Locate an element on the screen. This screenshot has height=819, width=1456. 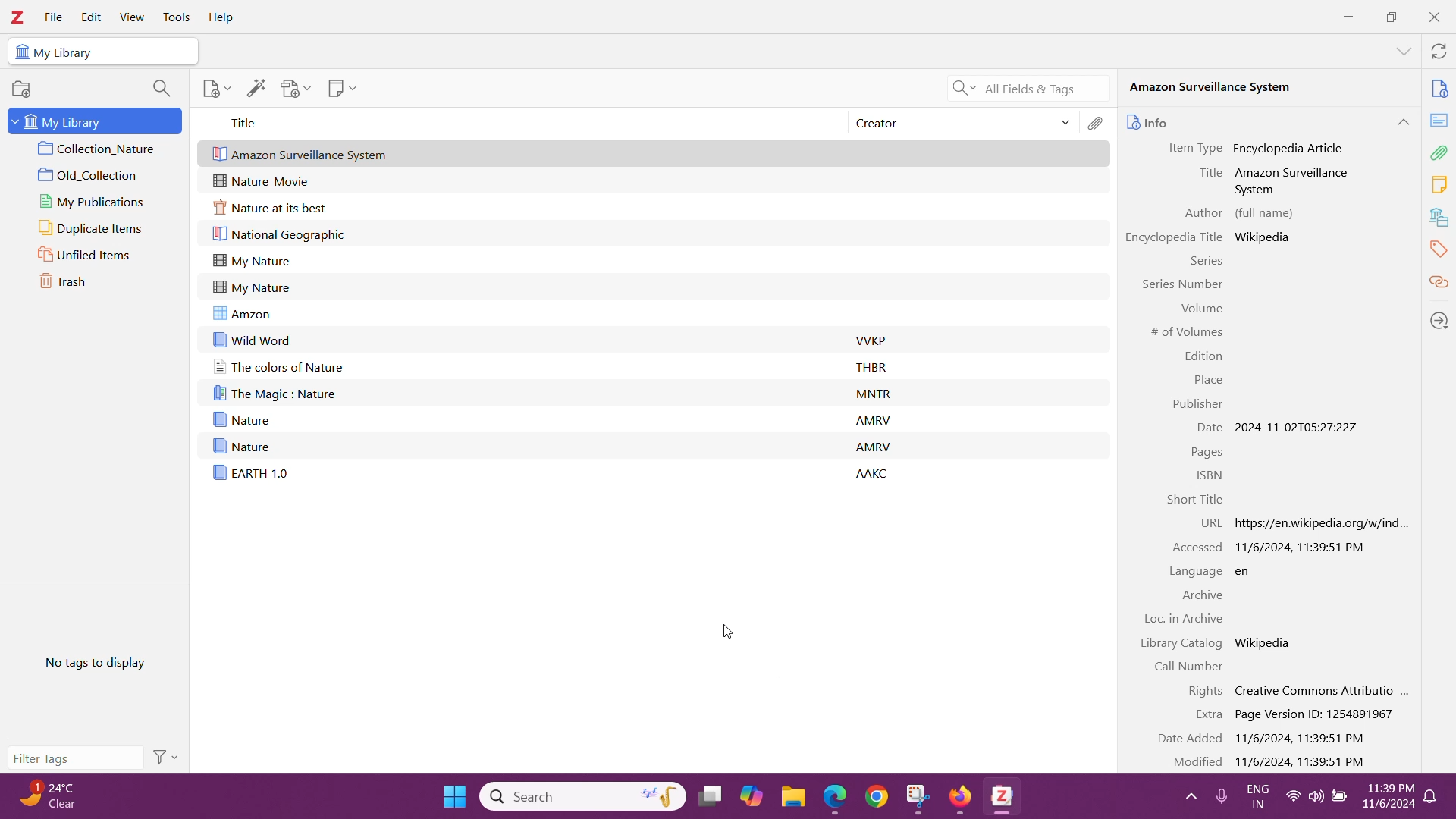
Help is located at coordinates (224, 17).